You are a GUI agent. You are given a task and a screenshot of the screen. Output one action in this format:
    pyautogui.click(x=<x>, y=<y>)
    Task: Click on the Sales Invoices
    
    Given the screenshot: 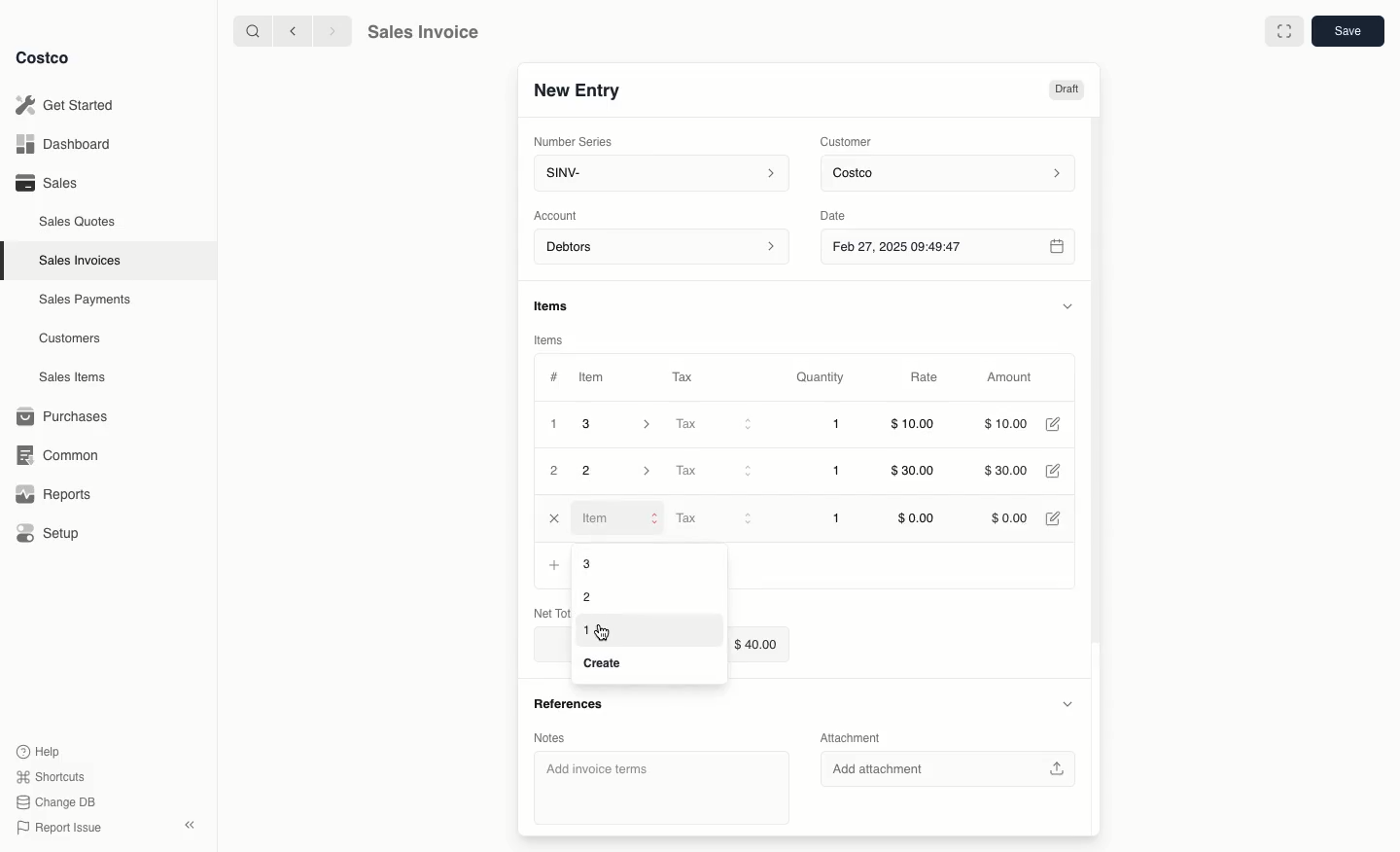 What is the action you would take?
    pyautogui.click(x=83, y=260)
    